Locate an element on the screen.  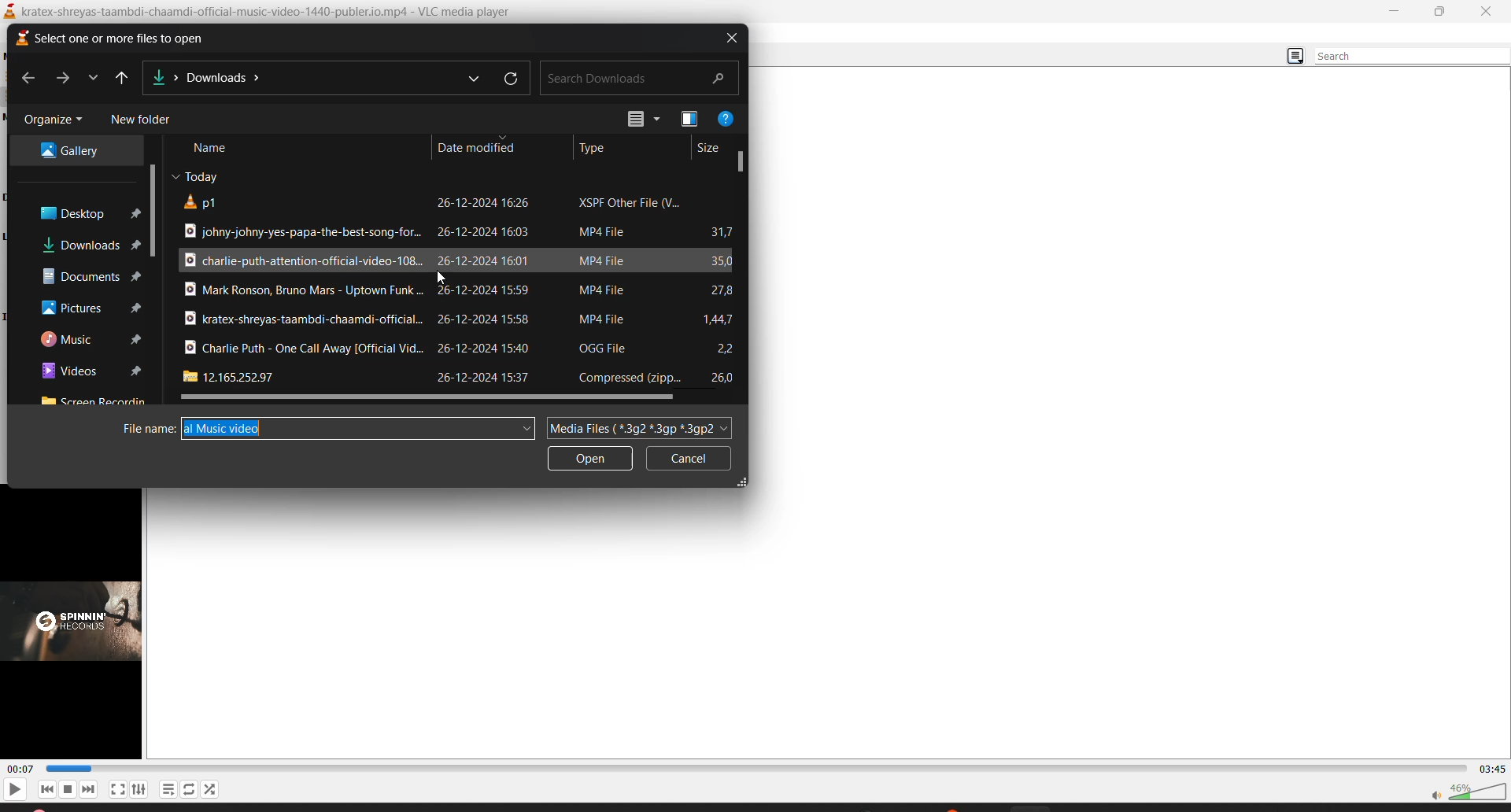
file title is located at coordinates (301, 260).